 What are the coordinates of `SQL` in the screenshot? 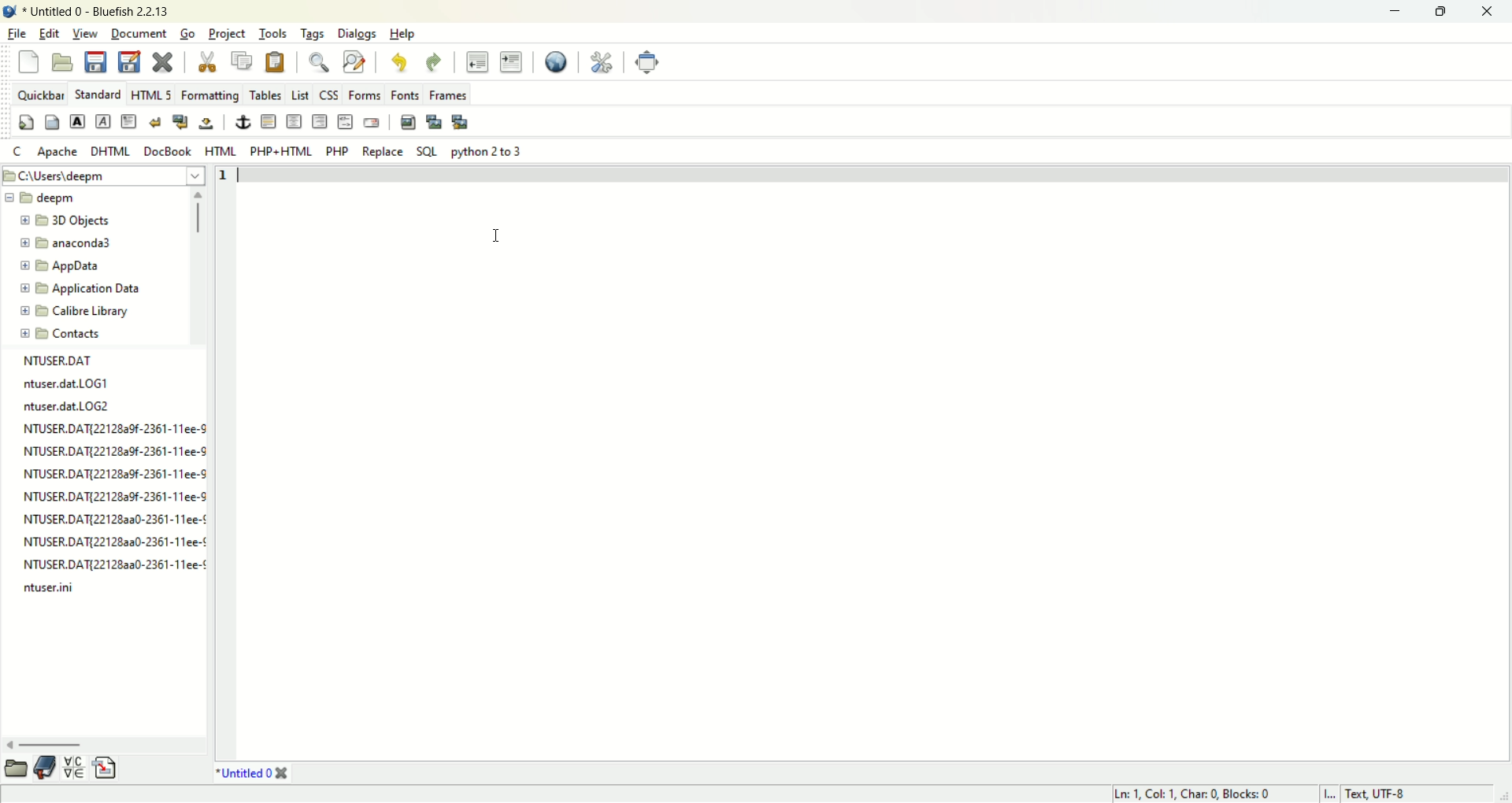 It's located at (427, 153).